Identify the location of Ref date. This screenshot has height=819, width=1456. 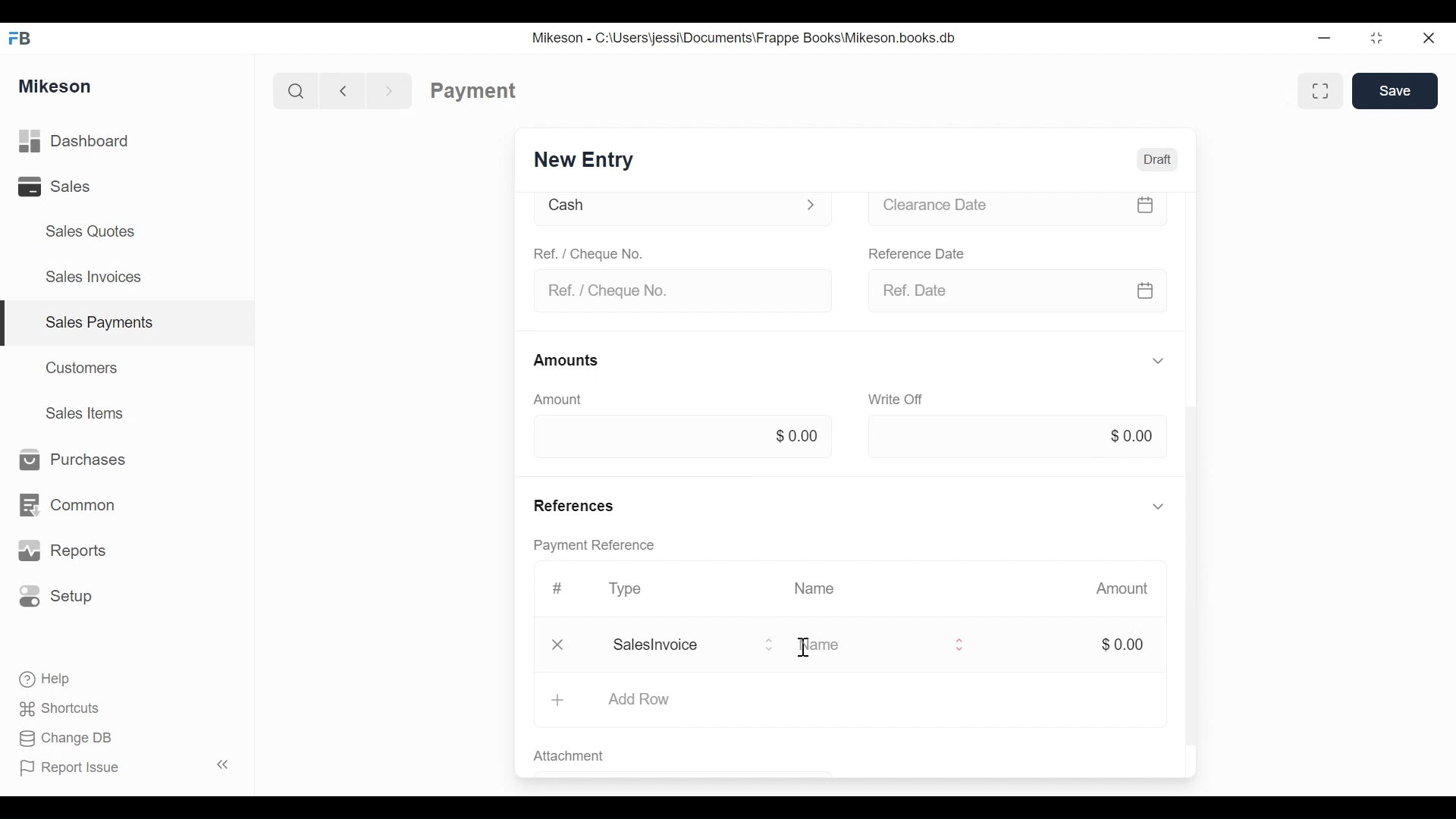
(1022, 293).